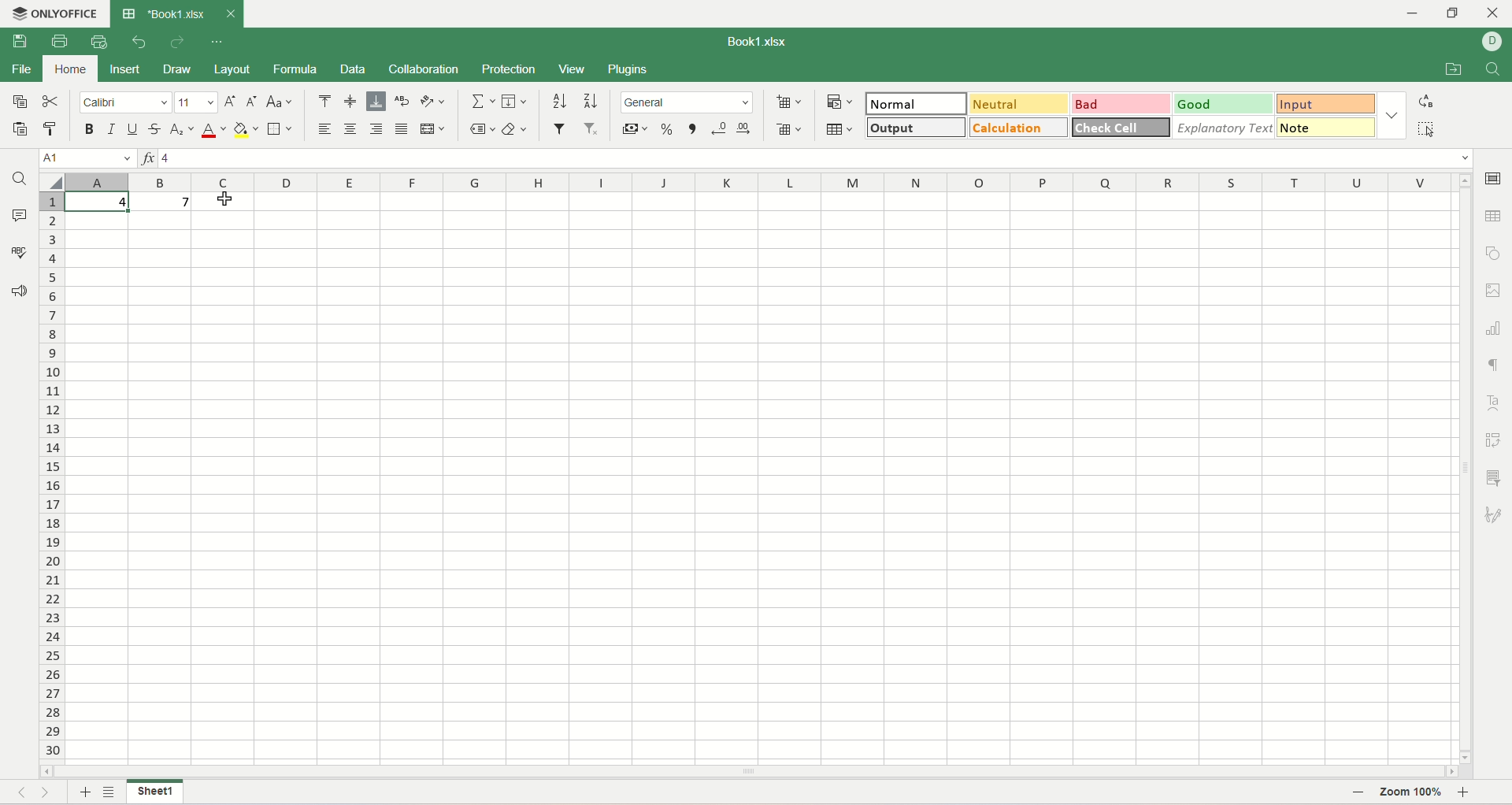 This screenshot has width=1512, height=805. What do you see at coordinates (231, 69) in the screenshot?
I see `layout` at bounding box center [231, 69].